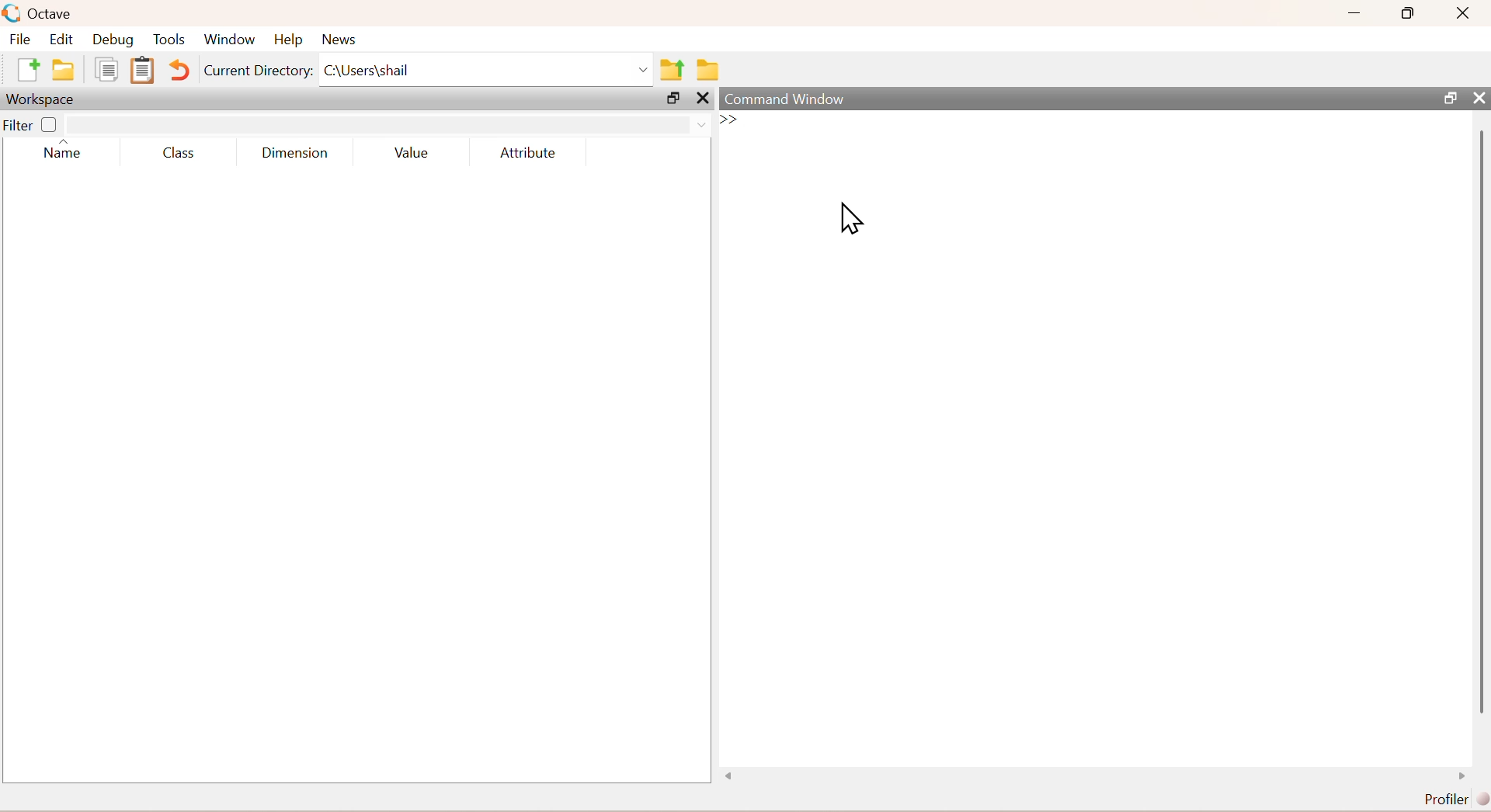  Describe the element at coordinates (13, 13) in the screenshot. I see `logo` at that location.